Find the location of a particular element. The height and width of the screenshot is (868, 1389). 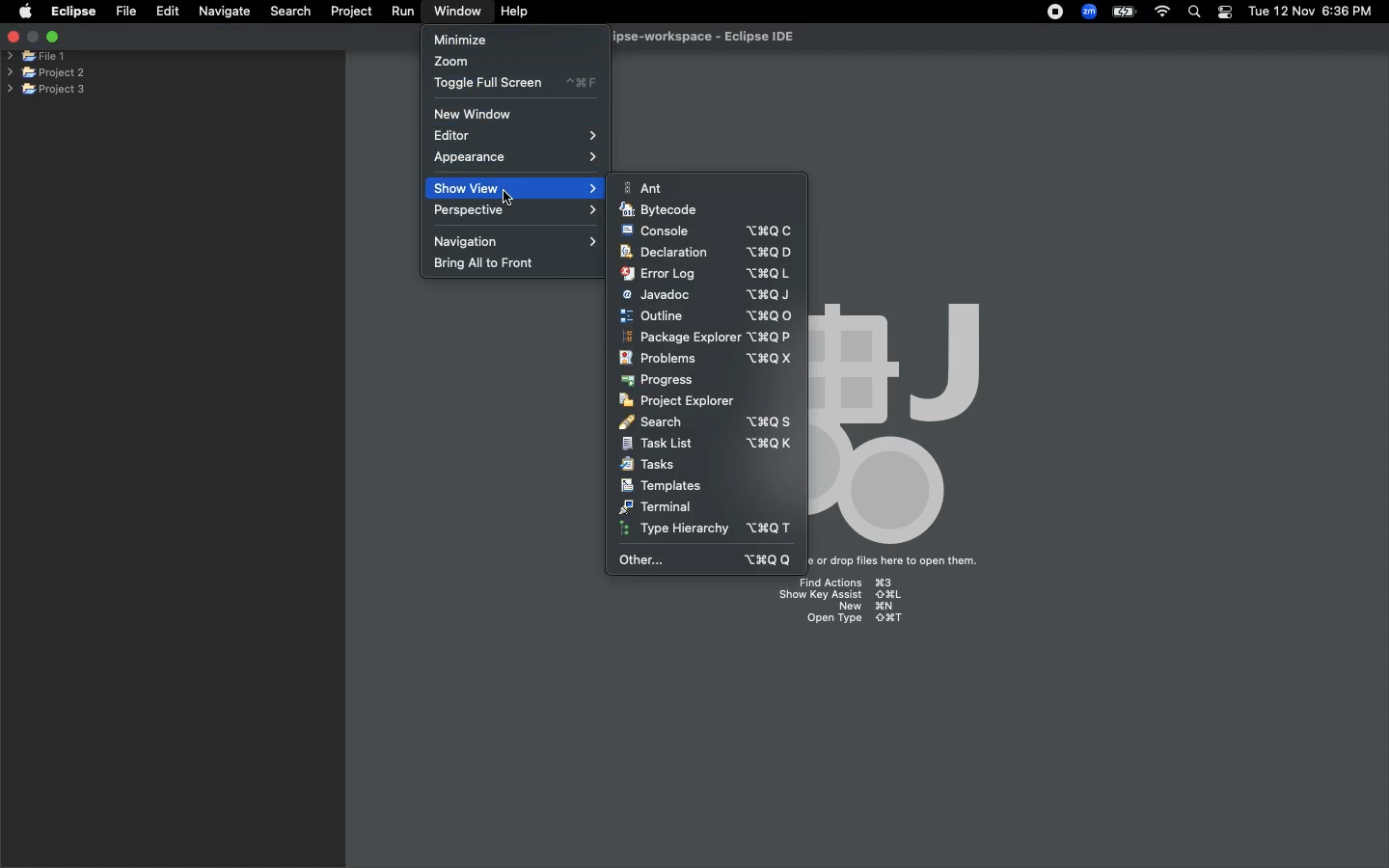

Search is located at coordinates (1195, 14).